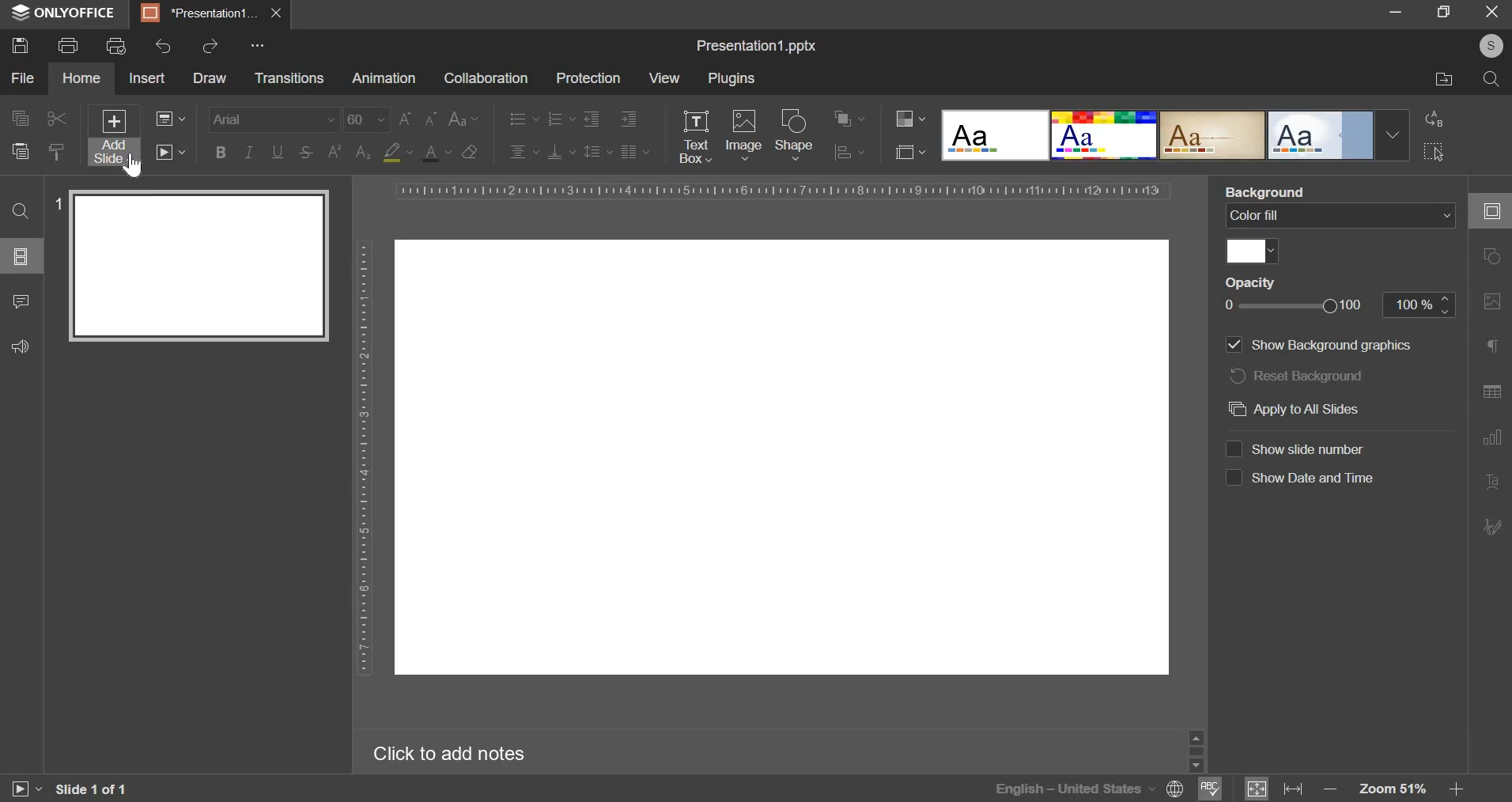 The width and height of the screenshot is (1512, 802). What do you see at coordinates (1295, 409) in the screenshot?
I see `apply to all slides` at bounding box center [1295, 409].